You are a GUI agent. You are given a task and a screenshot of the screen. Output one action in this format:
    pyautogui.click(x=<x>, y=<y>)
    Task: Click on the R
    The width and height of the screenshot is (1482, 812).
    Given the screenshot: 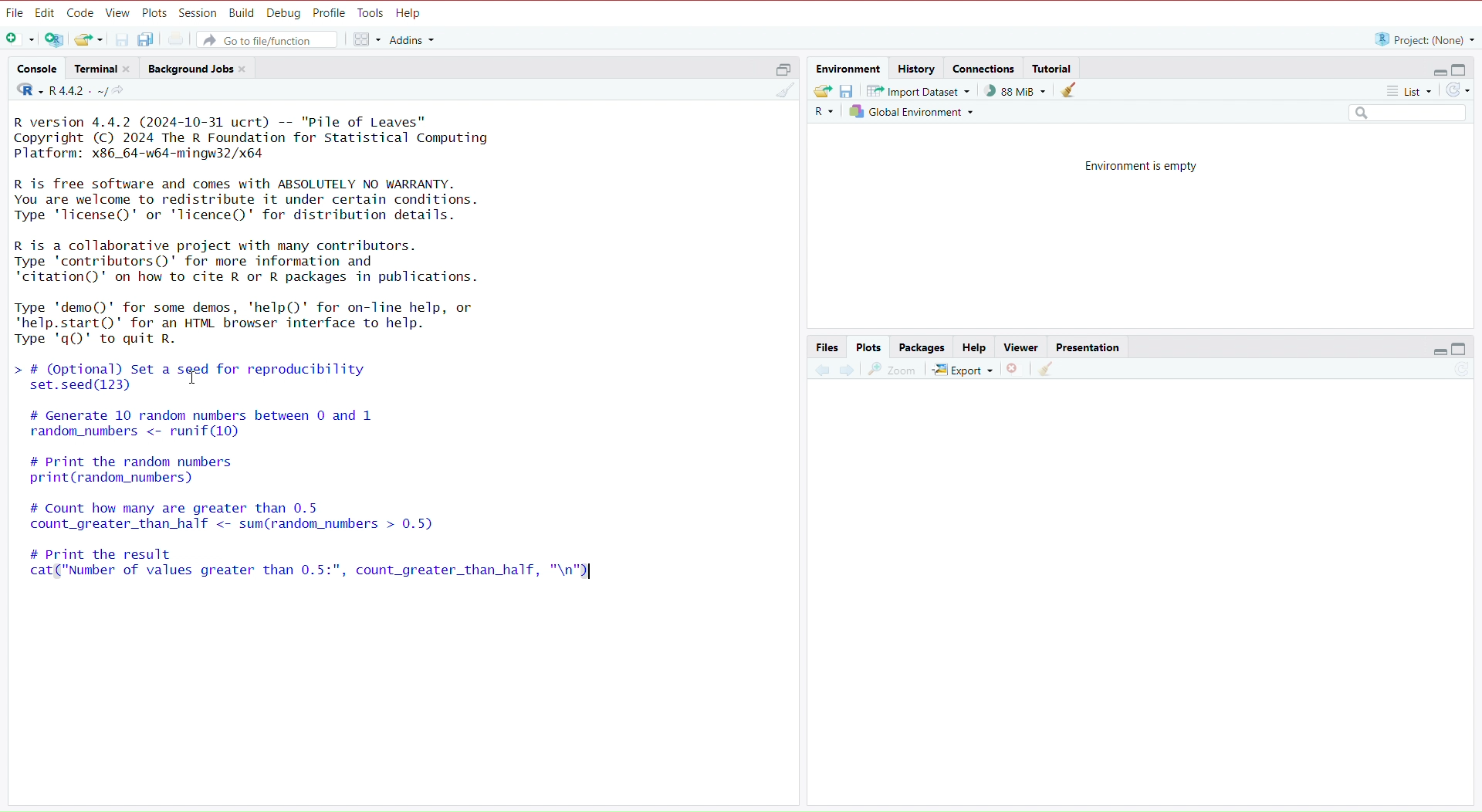 What is the action you would take?
    pyautogui.click(x=822, y=111)
    